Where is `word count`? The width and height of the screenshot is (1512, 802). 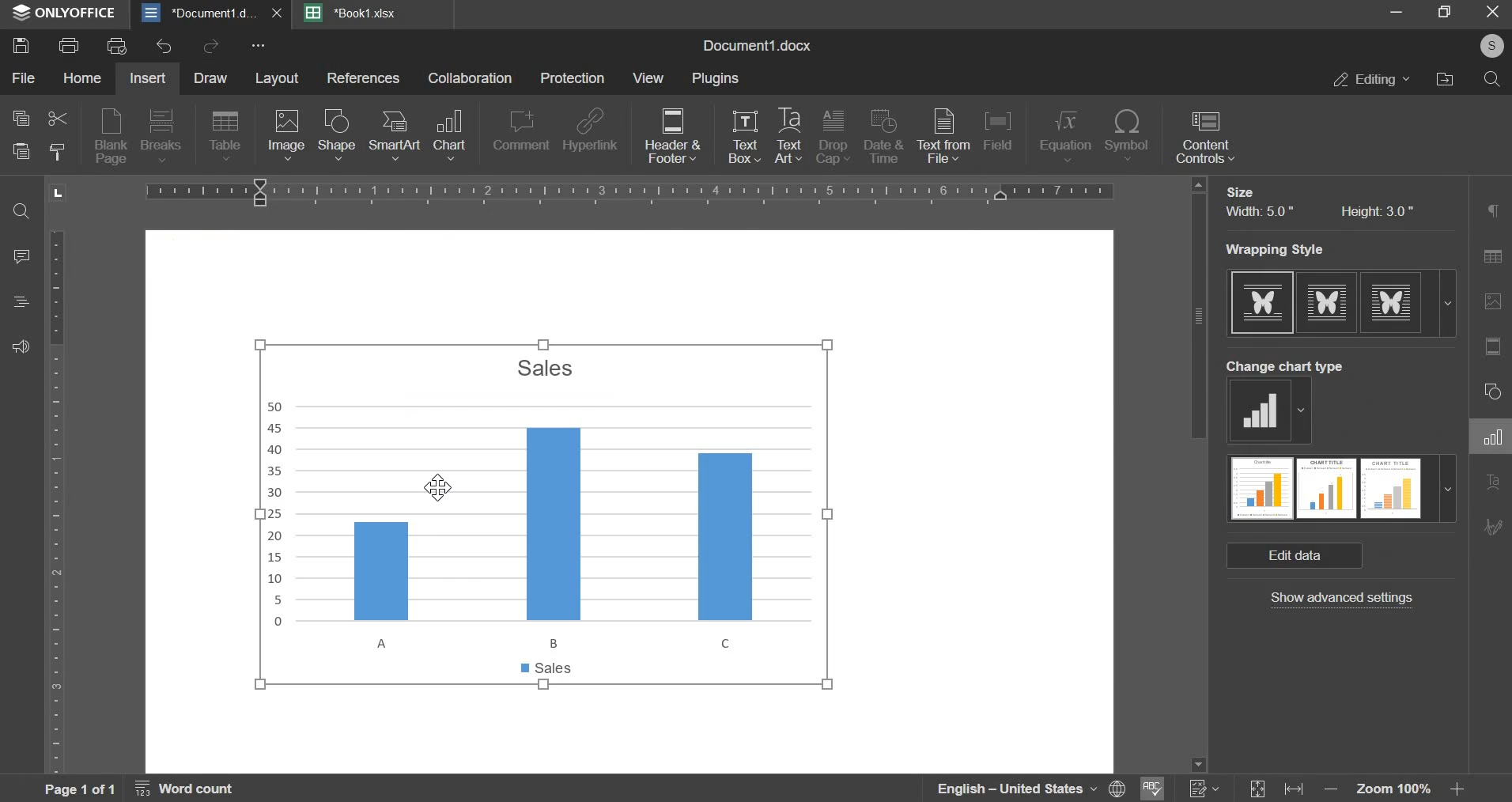
word count is located at coordinates (194, 789).